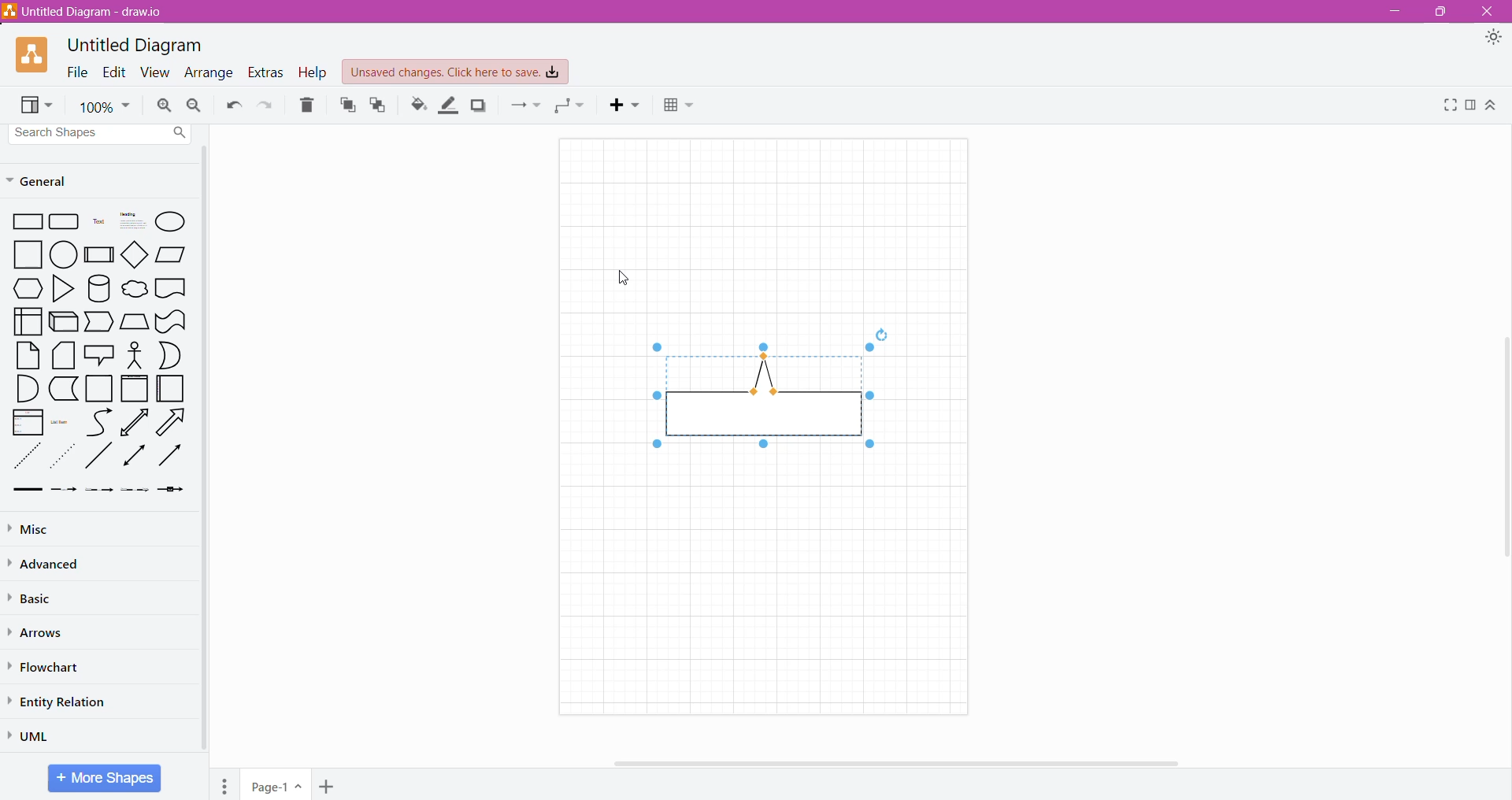  Describe the element at coordinates (65, 456) in the screenshot. I see `Dotted Arrow ` at that location.